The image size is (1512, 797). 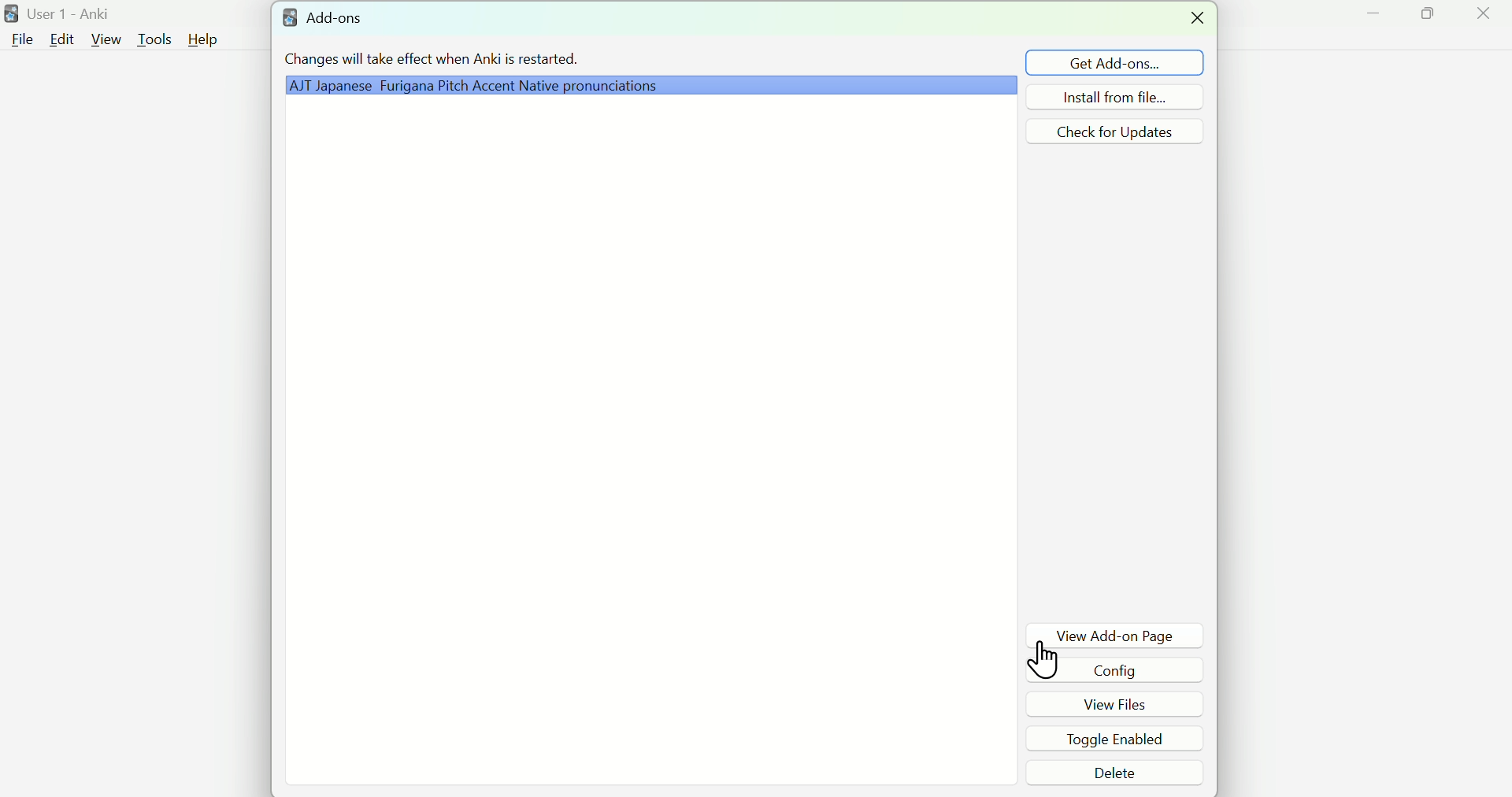 What do you see at coordinates (650, 84) in the screenshot?
I see `Grammar Plugin` at bounding box center [650, 84].